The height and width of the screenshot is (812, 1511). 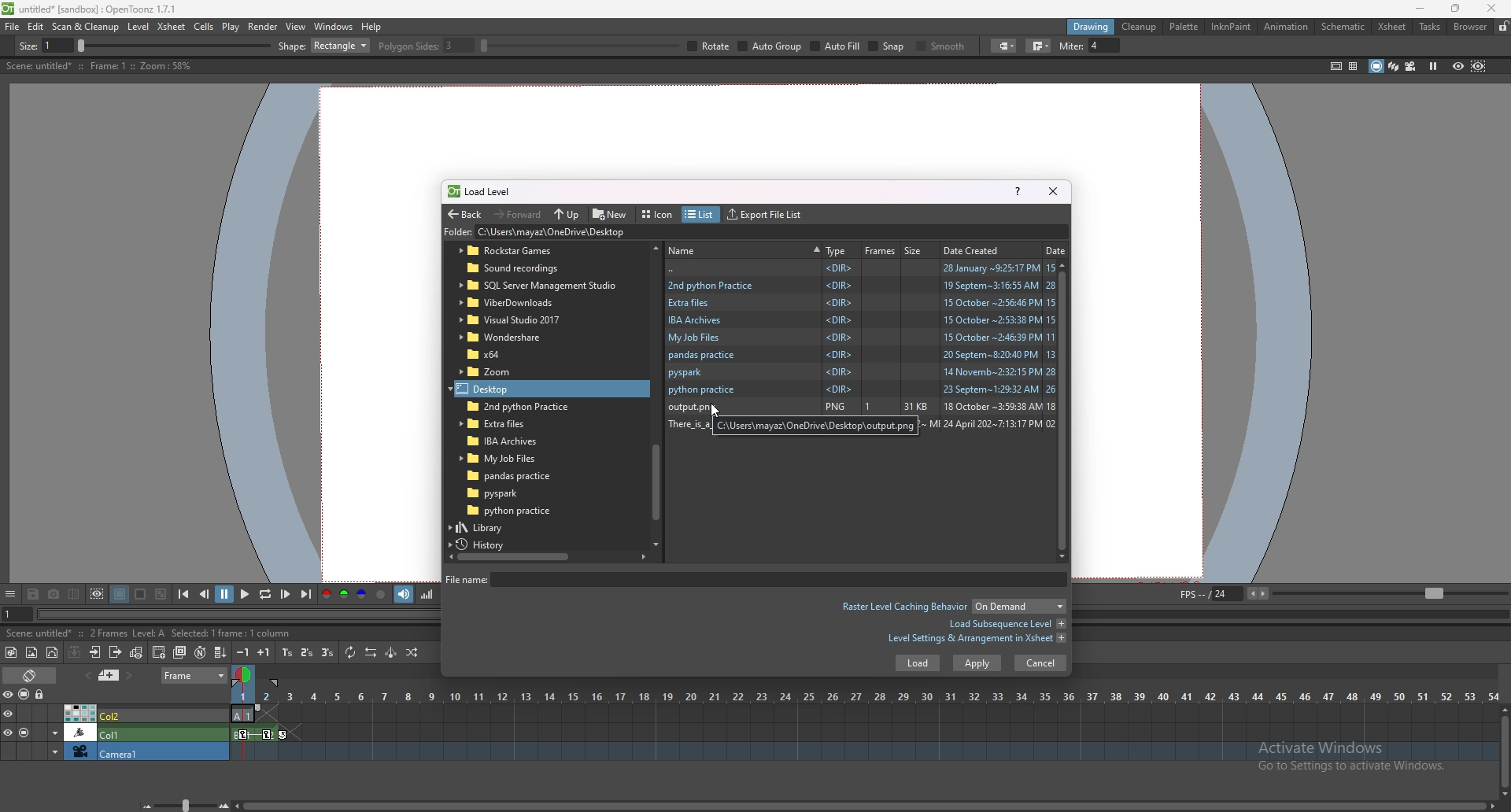 I want to click on shape, so click(x=641, y=46).